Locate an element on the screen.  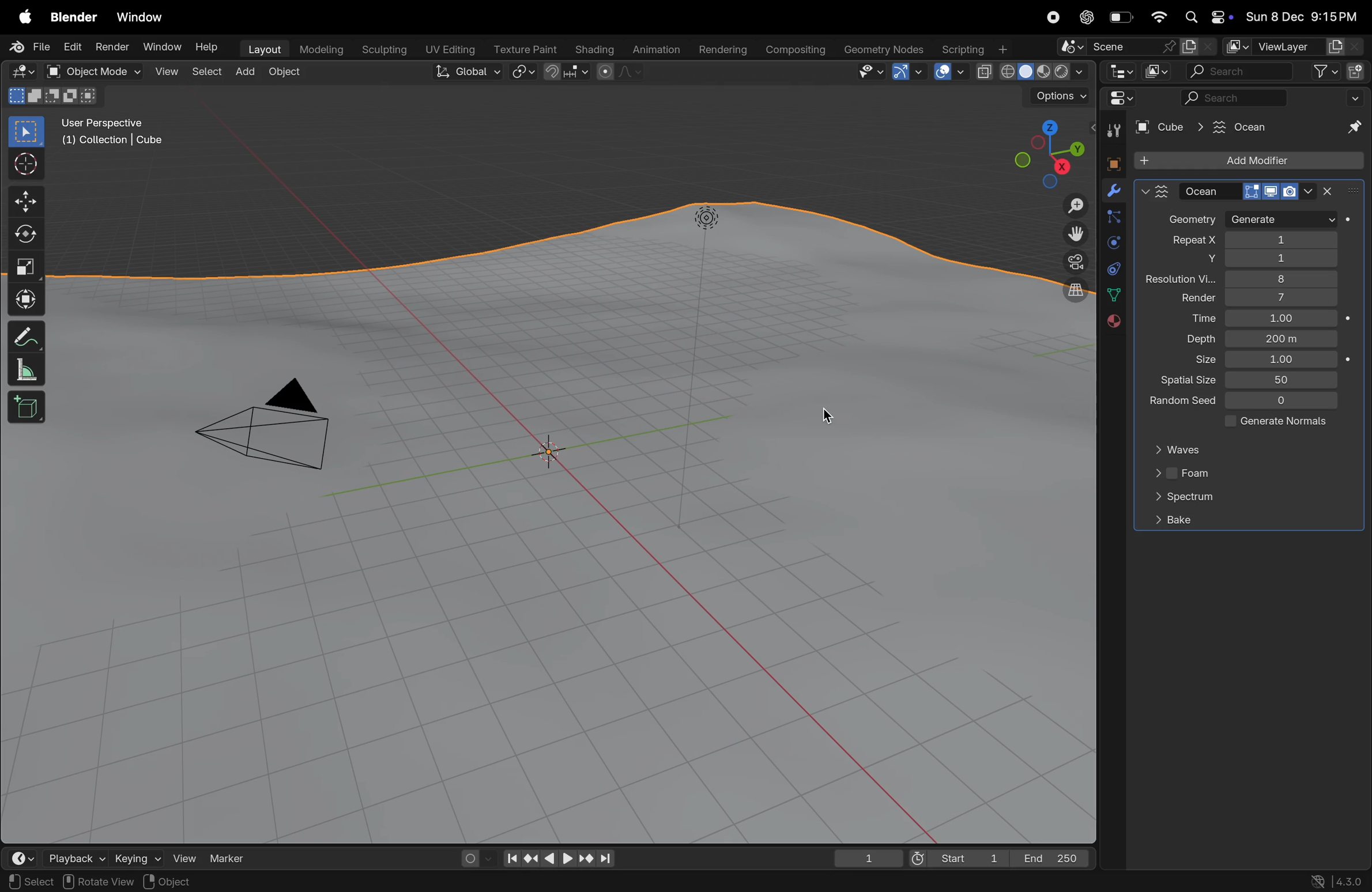
playback is located at coordinates (75, 857).